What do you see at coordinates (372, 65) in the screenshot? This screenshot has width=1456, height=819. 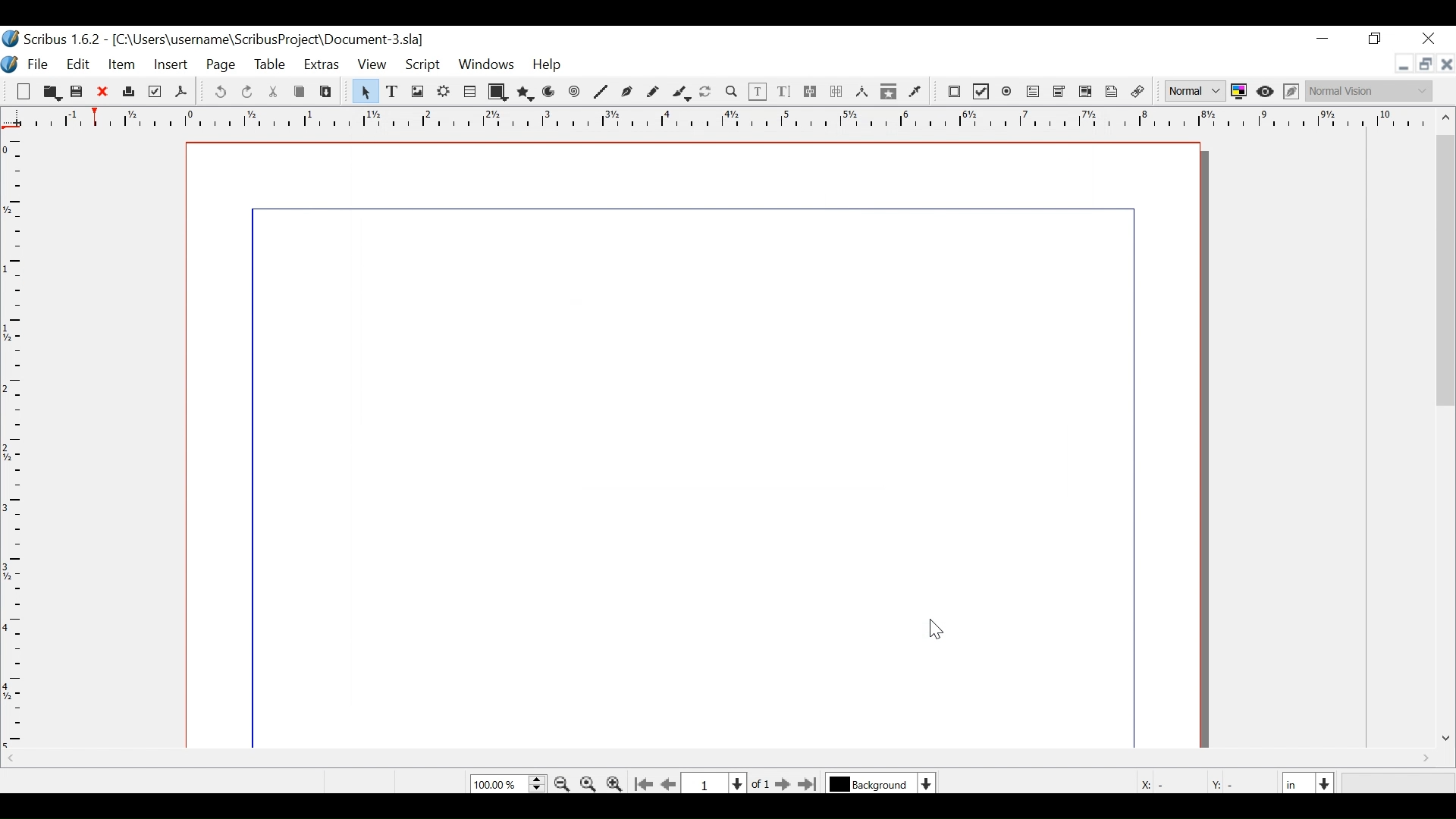 I see `View` at bounding box center [372, 65].